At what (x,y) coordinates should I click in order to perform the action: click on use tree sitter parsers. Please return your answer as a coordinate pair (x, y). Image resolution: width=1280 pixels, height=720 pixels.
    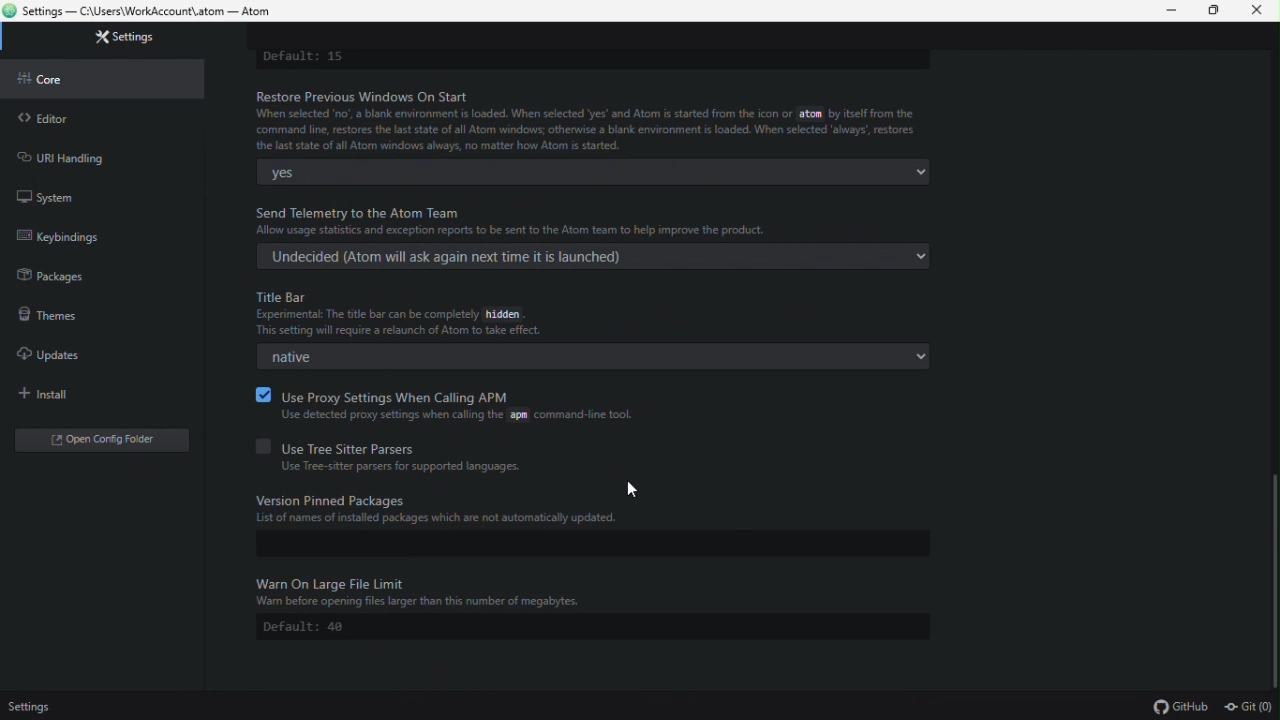
    Looking at the image, I should click on (408, 457).